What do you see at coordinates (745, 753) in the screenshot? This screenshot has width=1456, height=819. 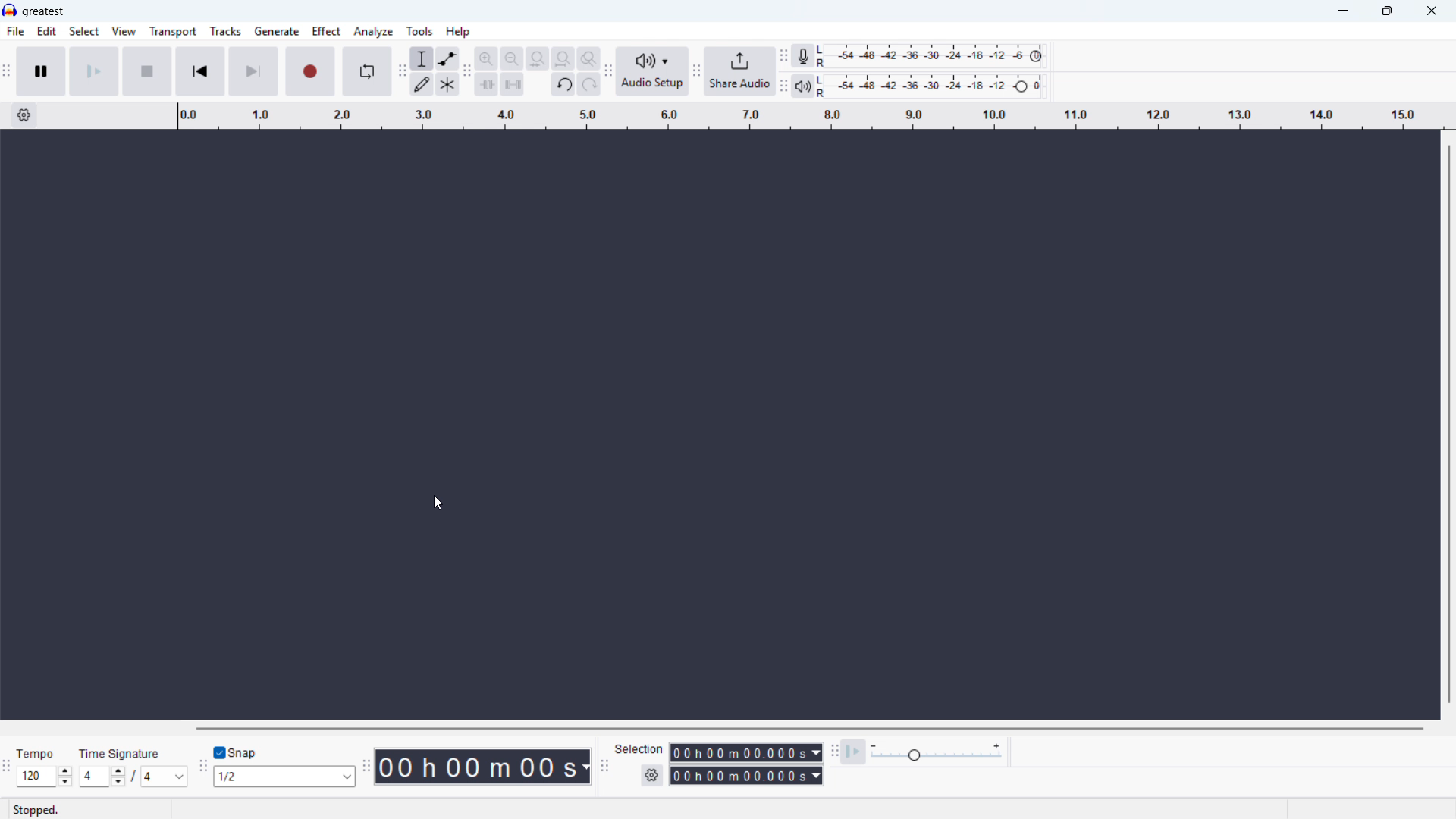 I see `Selection start time` at bounding box center [745, 753].